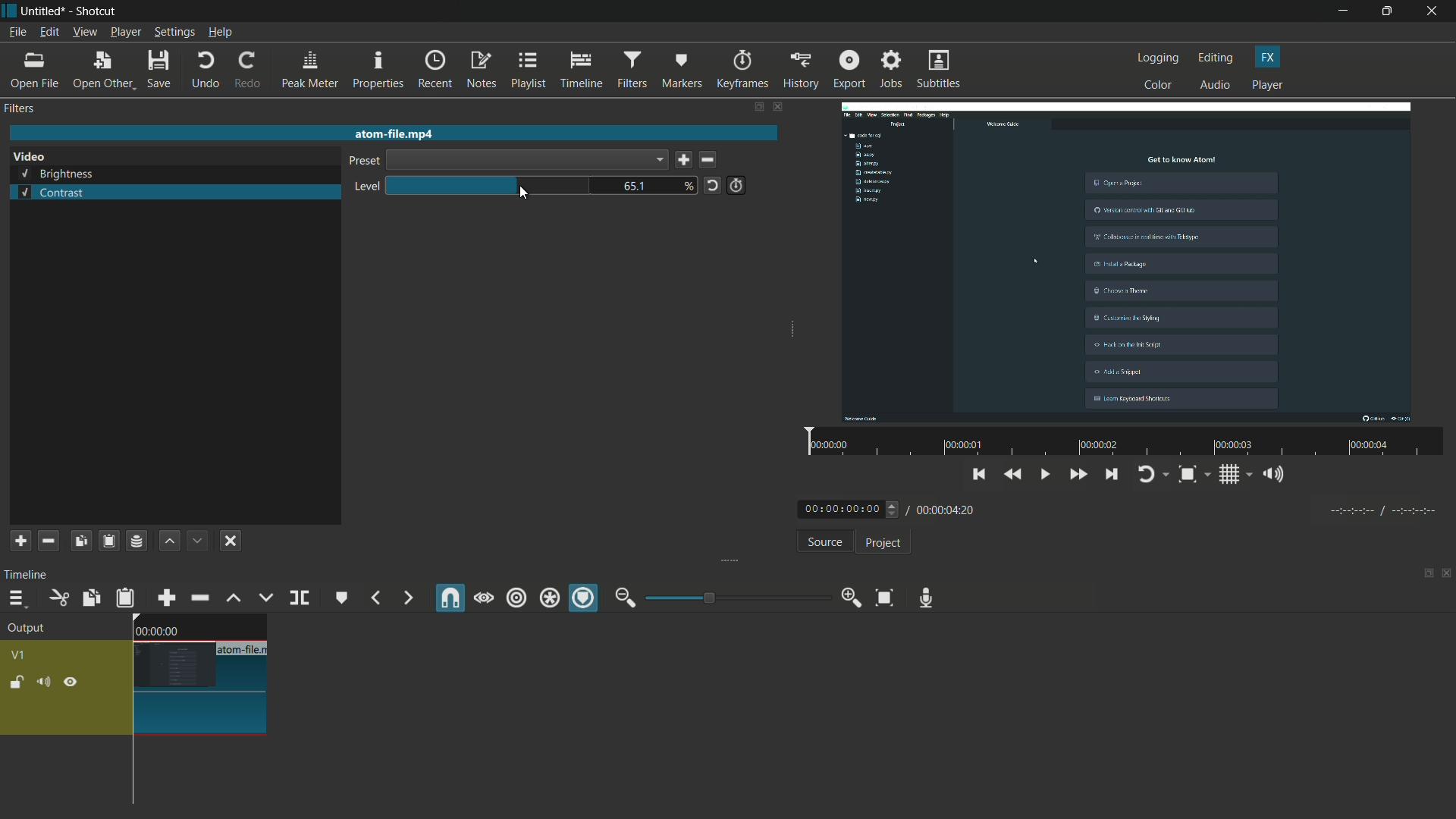  I want to click on ripple markers, so click(585, 599).